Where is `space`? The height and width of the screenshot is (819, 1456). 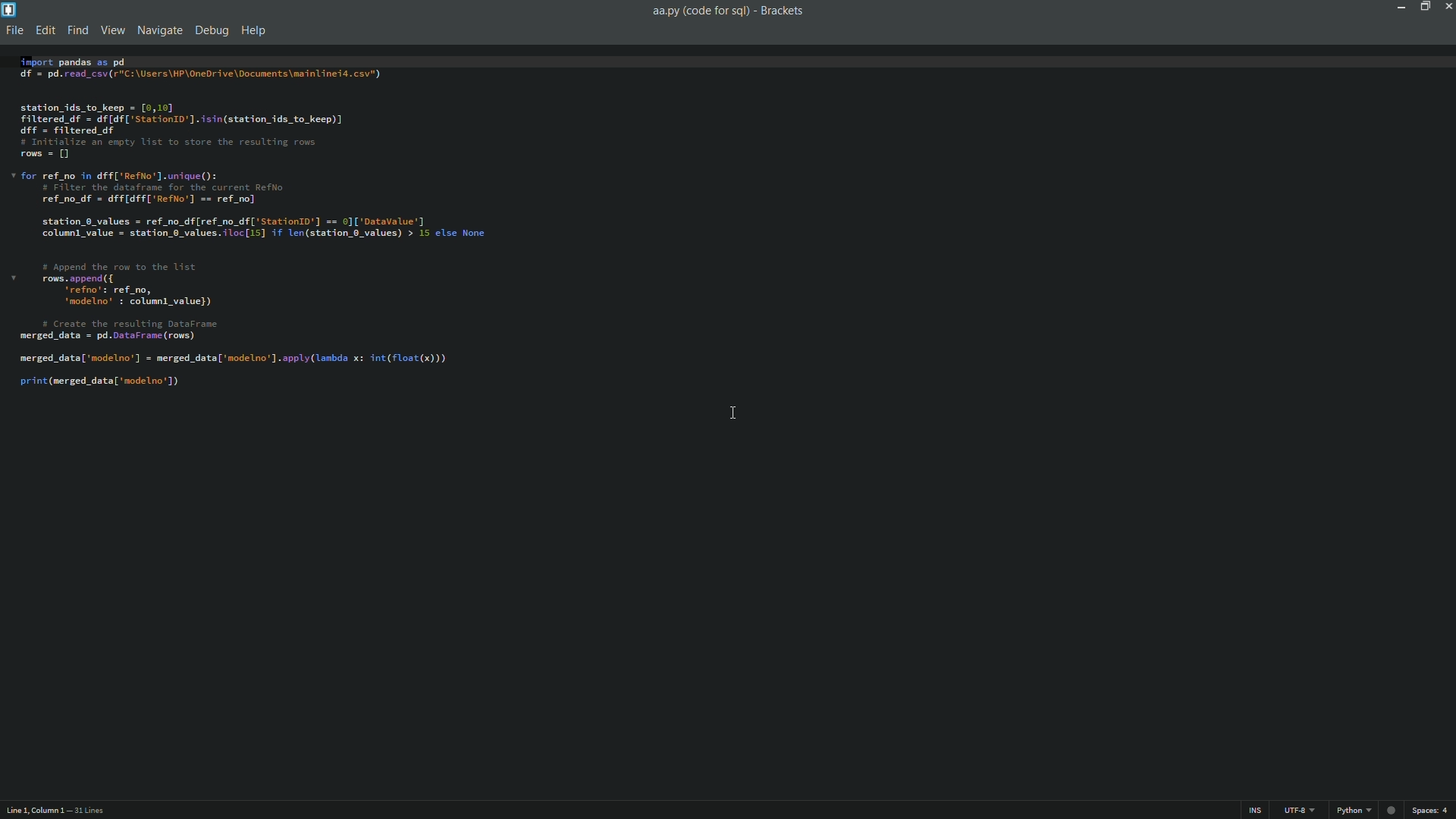 space is located at coordinates (1433, 811).